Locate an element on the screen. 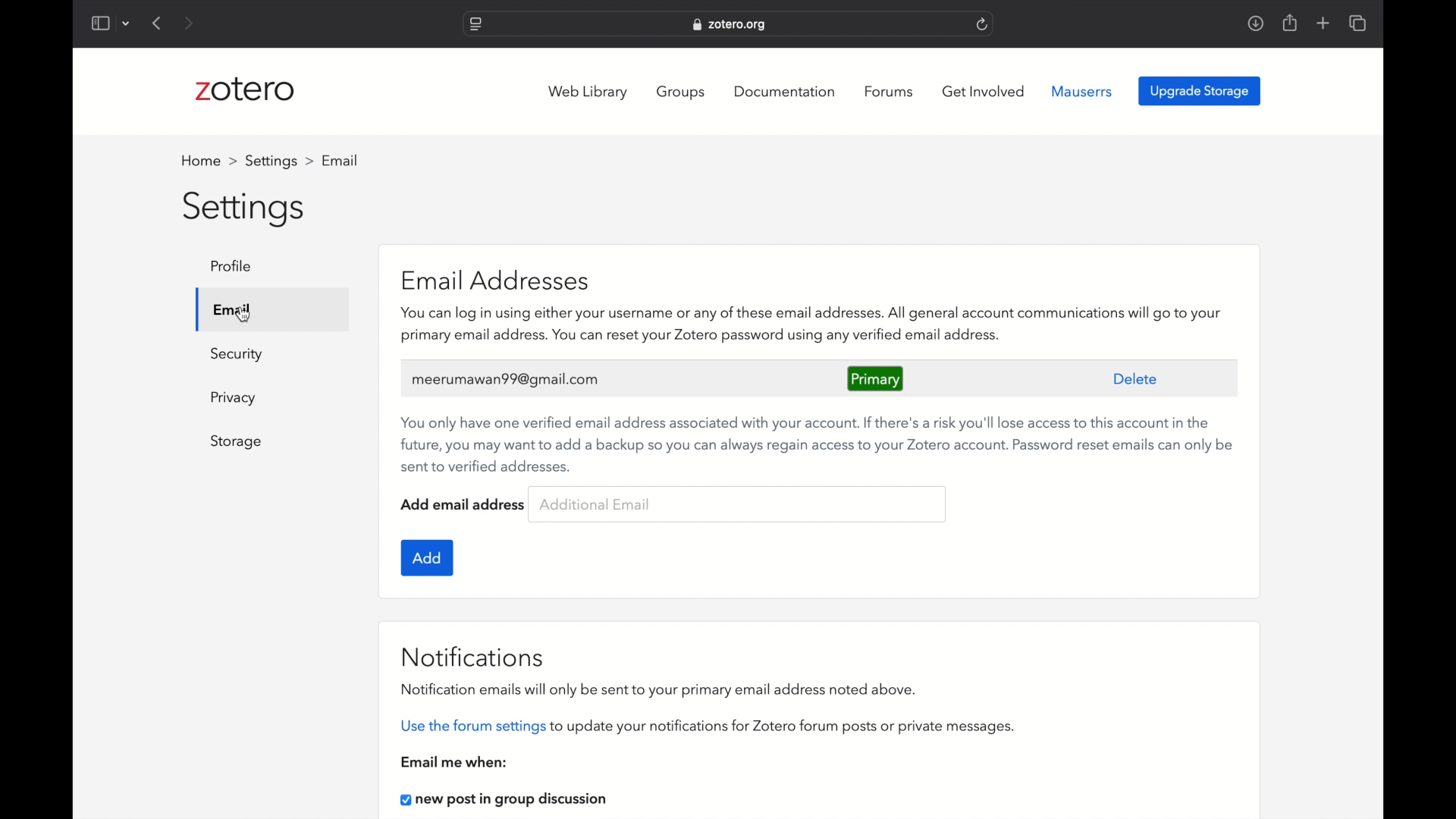 The width and height of the screenshot is (1456, 819). refresh is located at coordinates (983, 24).